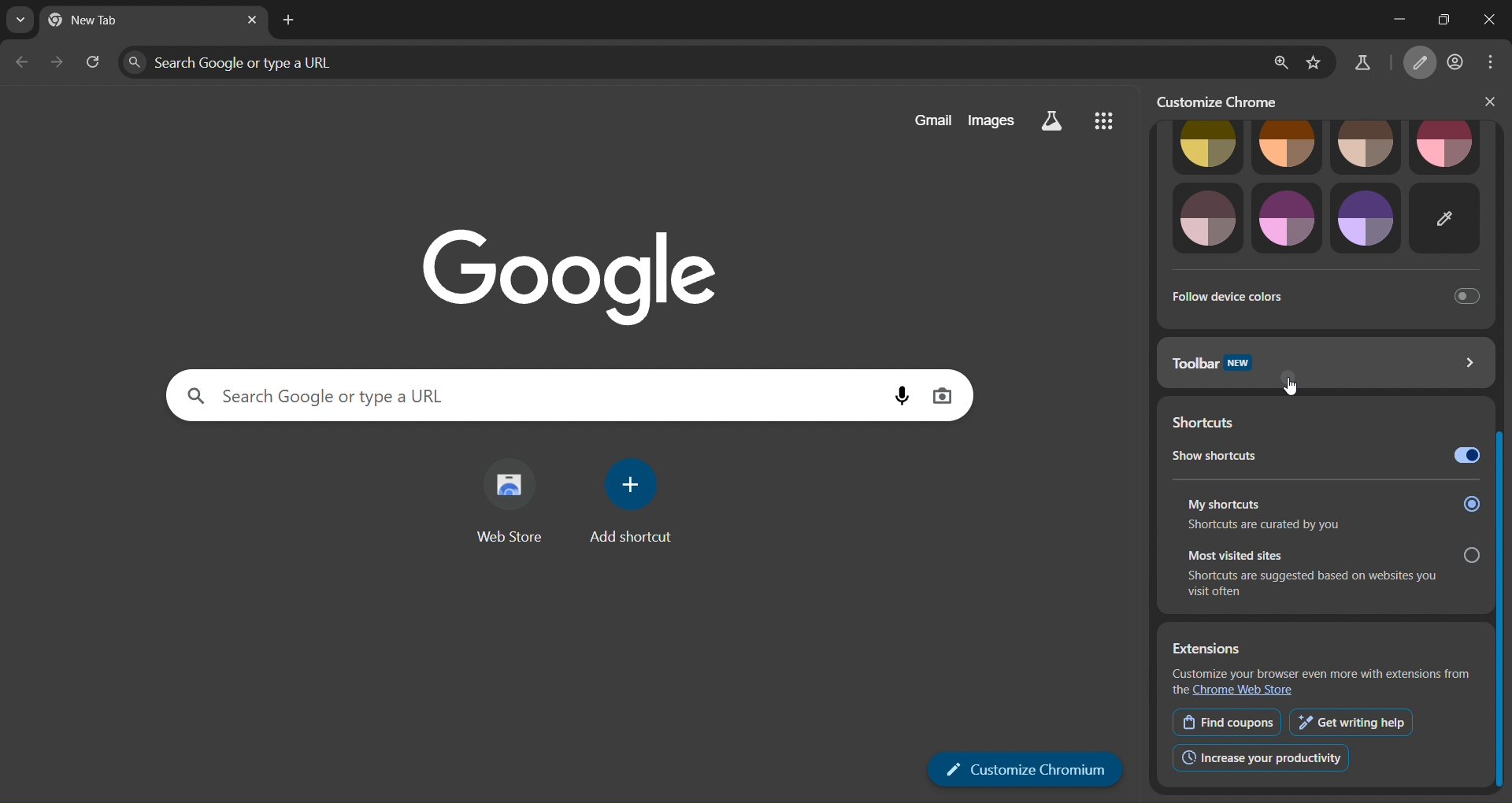 The width and height of the screenshot is (1512, 803). Describe the element at coordinates (1285, 146) in the screenshot. I see `theme` at that location.